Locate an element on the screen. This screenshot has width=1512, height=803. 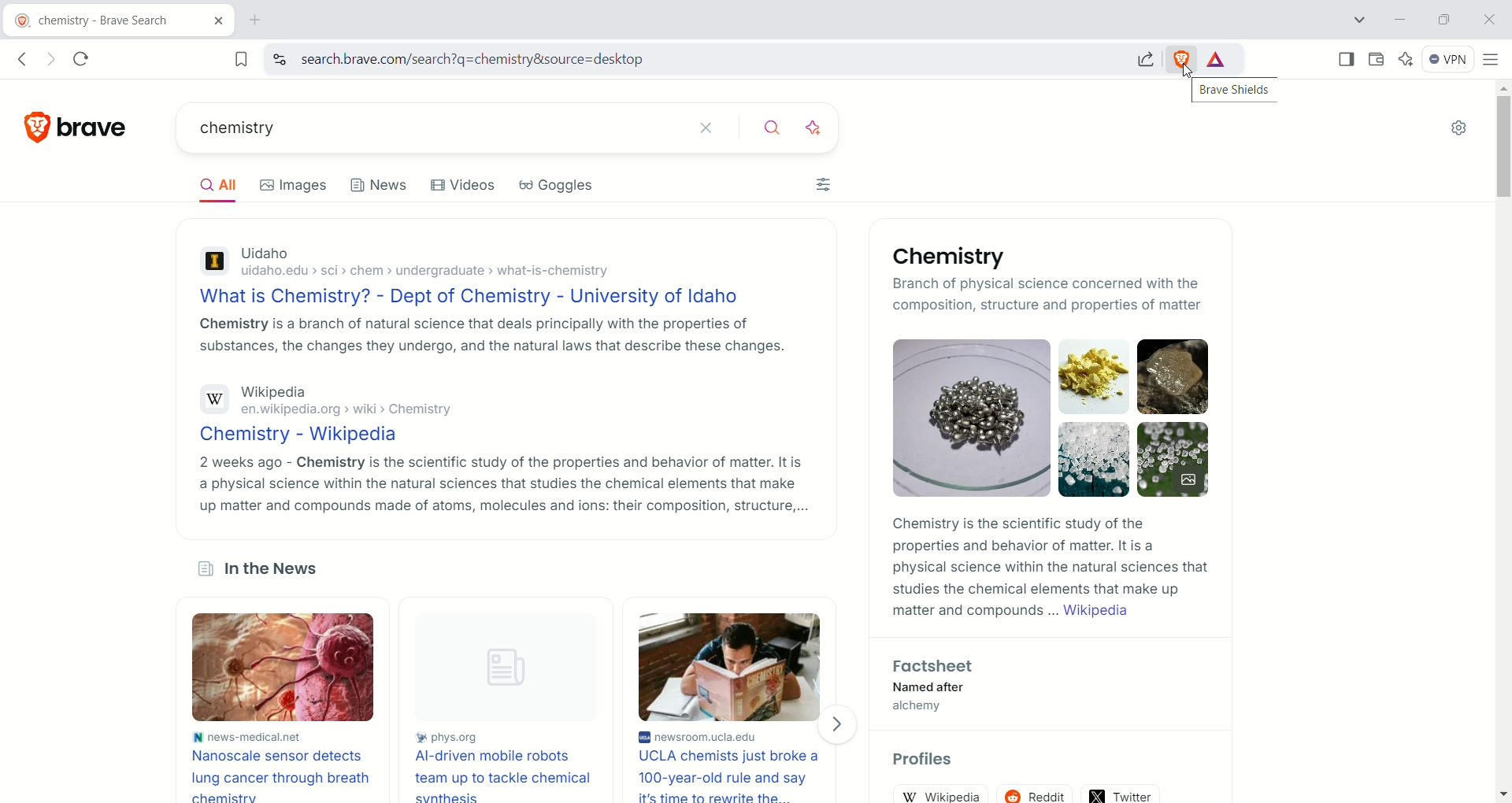
bookmark is located at coordinates (237, 58).